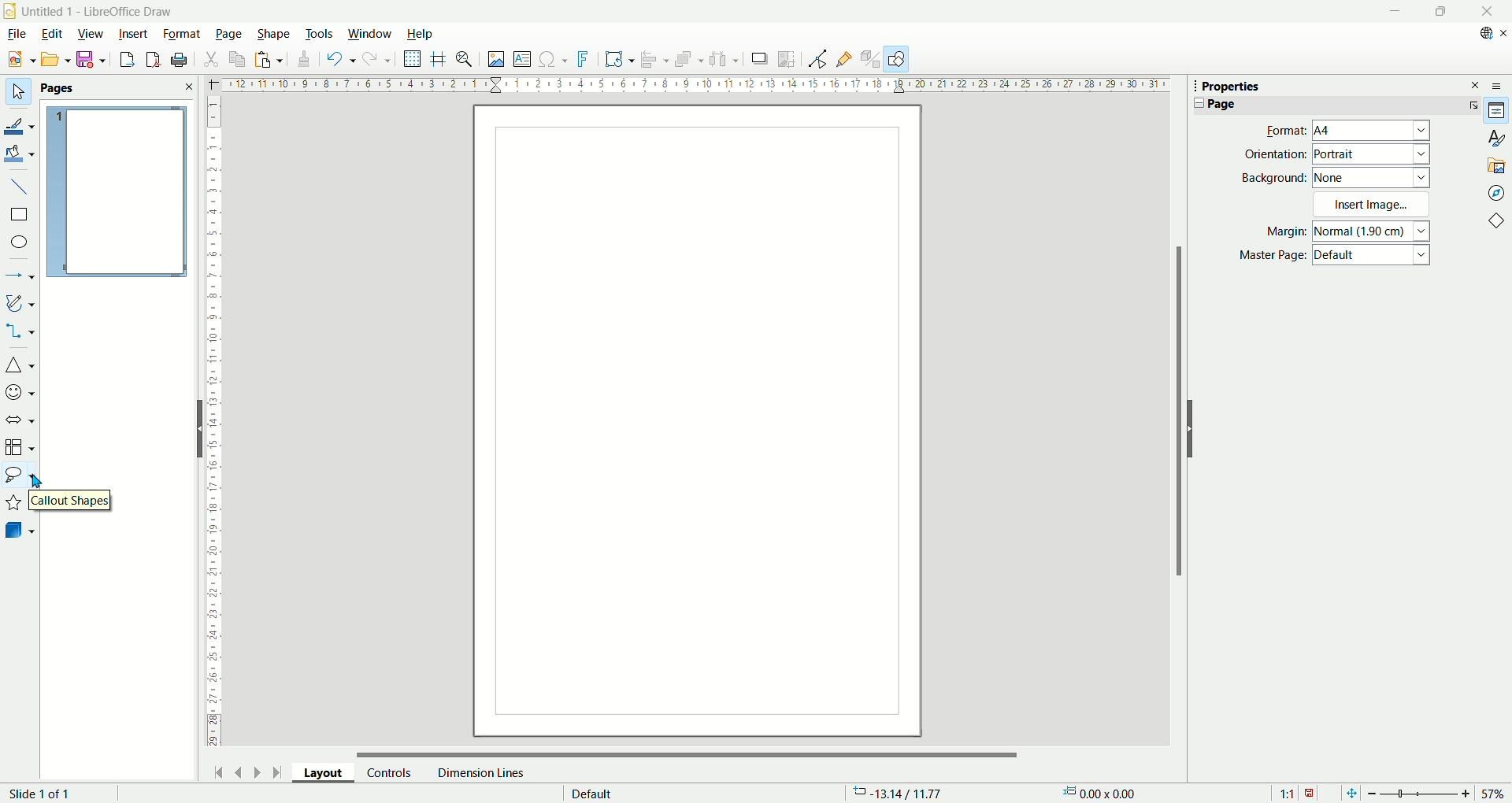 This screenshot has height=803, width=1512. I want to click on insert special character, so click(555, 58).